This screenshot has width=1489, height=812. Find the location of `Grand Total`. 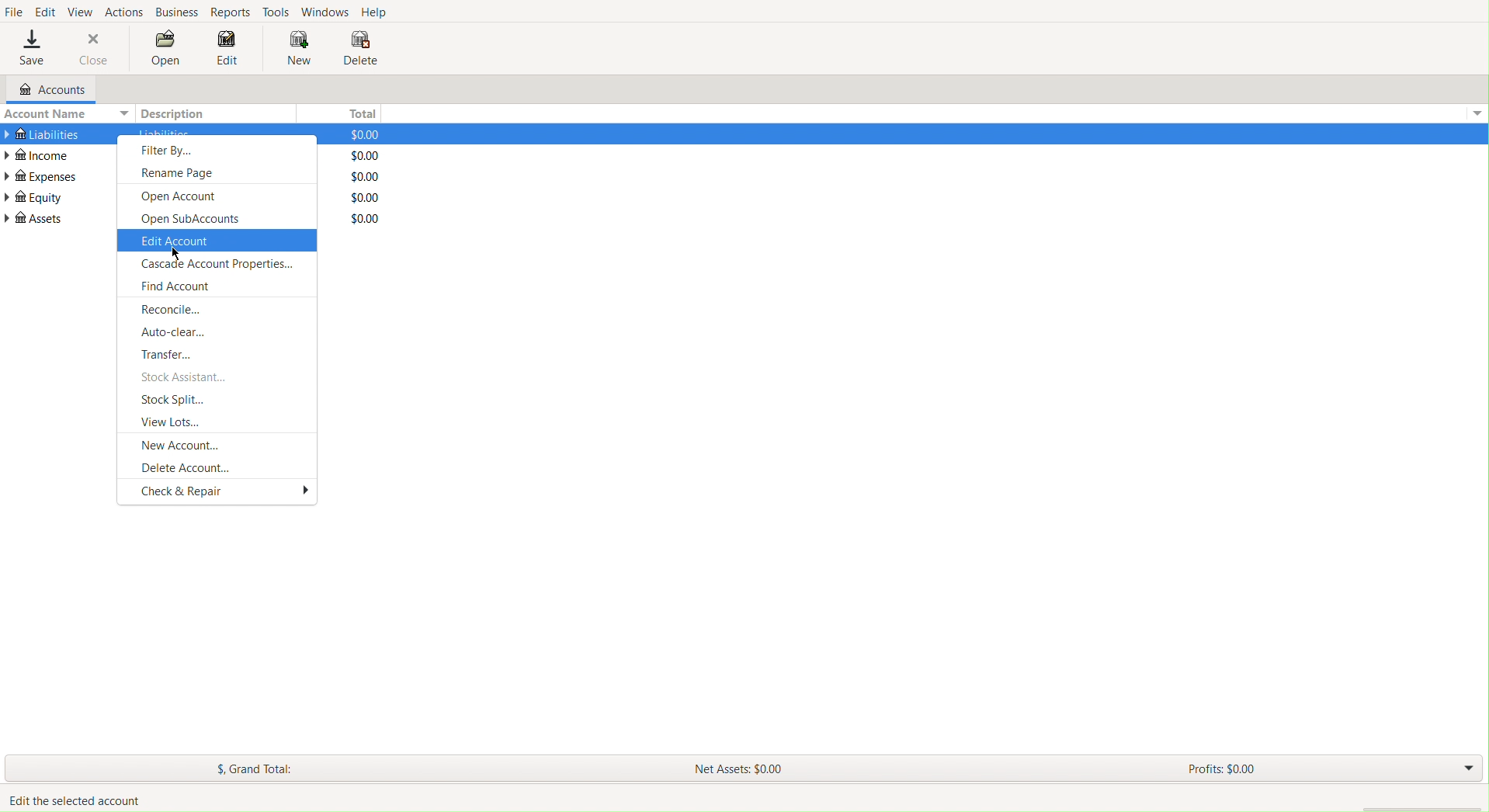

Grand Total is located at coordinates (256, 769).